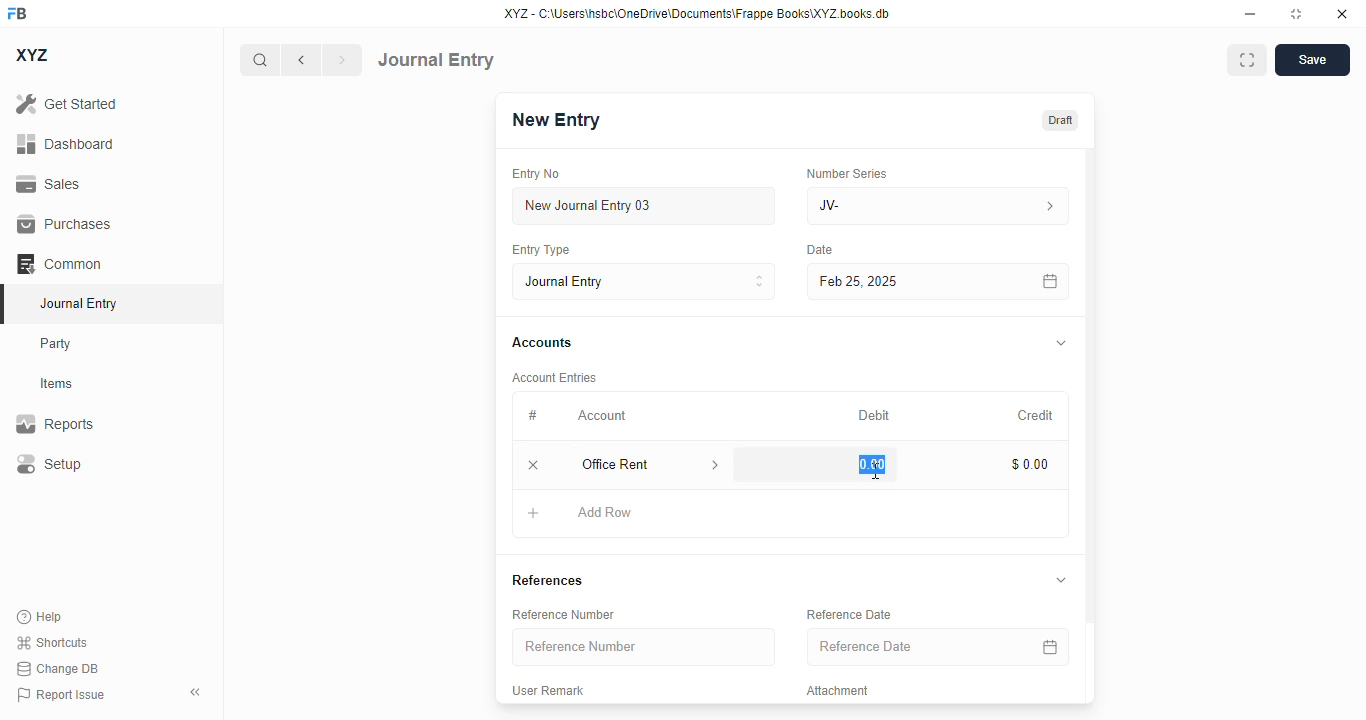  What do you see at coordinates (59, 264) in the screenshot?
I see `common` at bounding box center [59, 264].